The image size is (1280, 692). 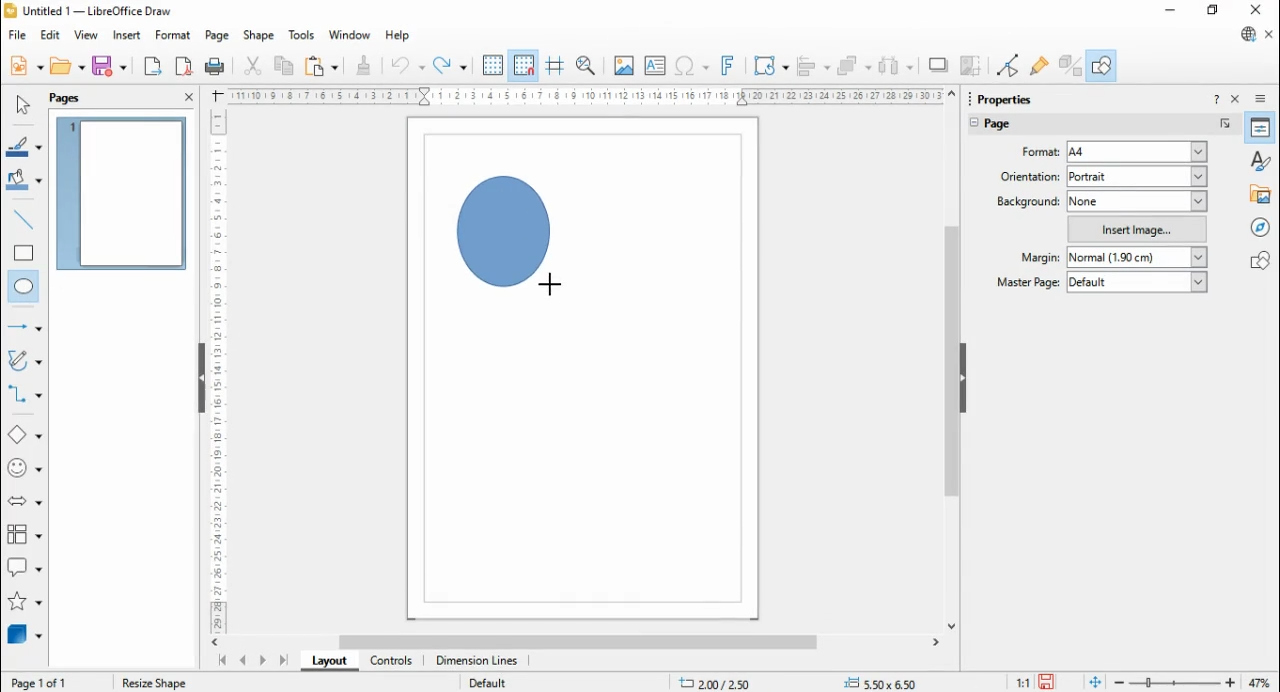 What do you see at coordinates (283, 660) in the screenshot?
I see `last page` at bounding box center [283, 660].